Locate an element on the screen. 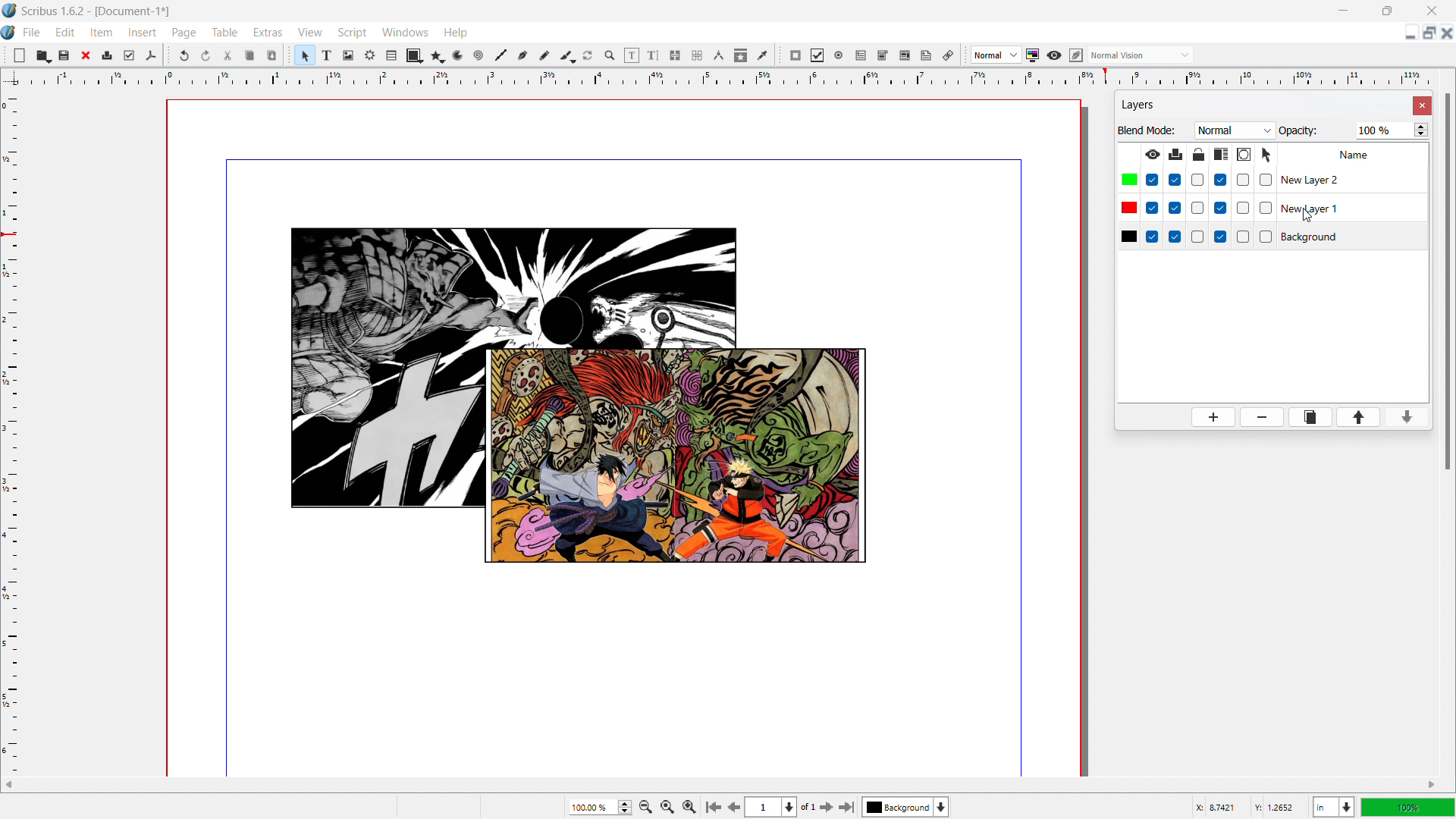  save is located at coordinates (64, 56).